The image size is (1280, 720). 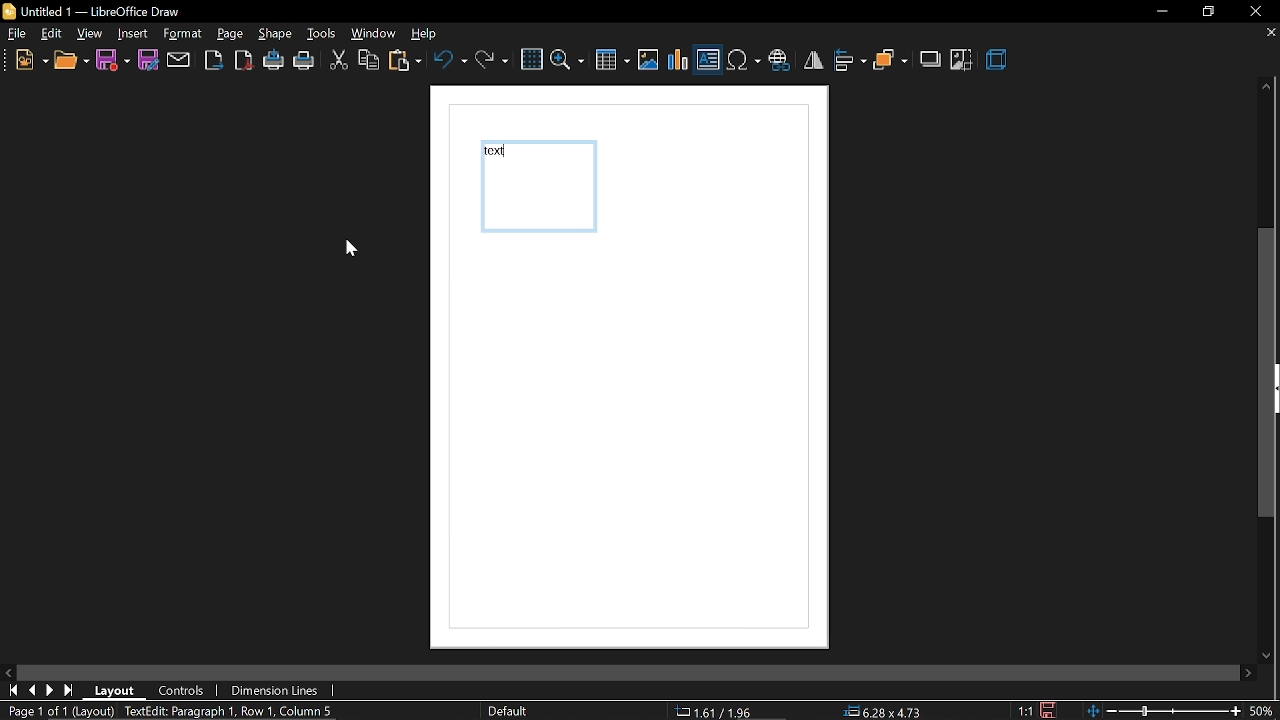 What do you see at coordinates (1265, 33) in the screenshot?
I see `close current tab` at bounding box center [1265, 33].